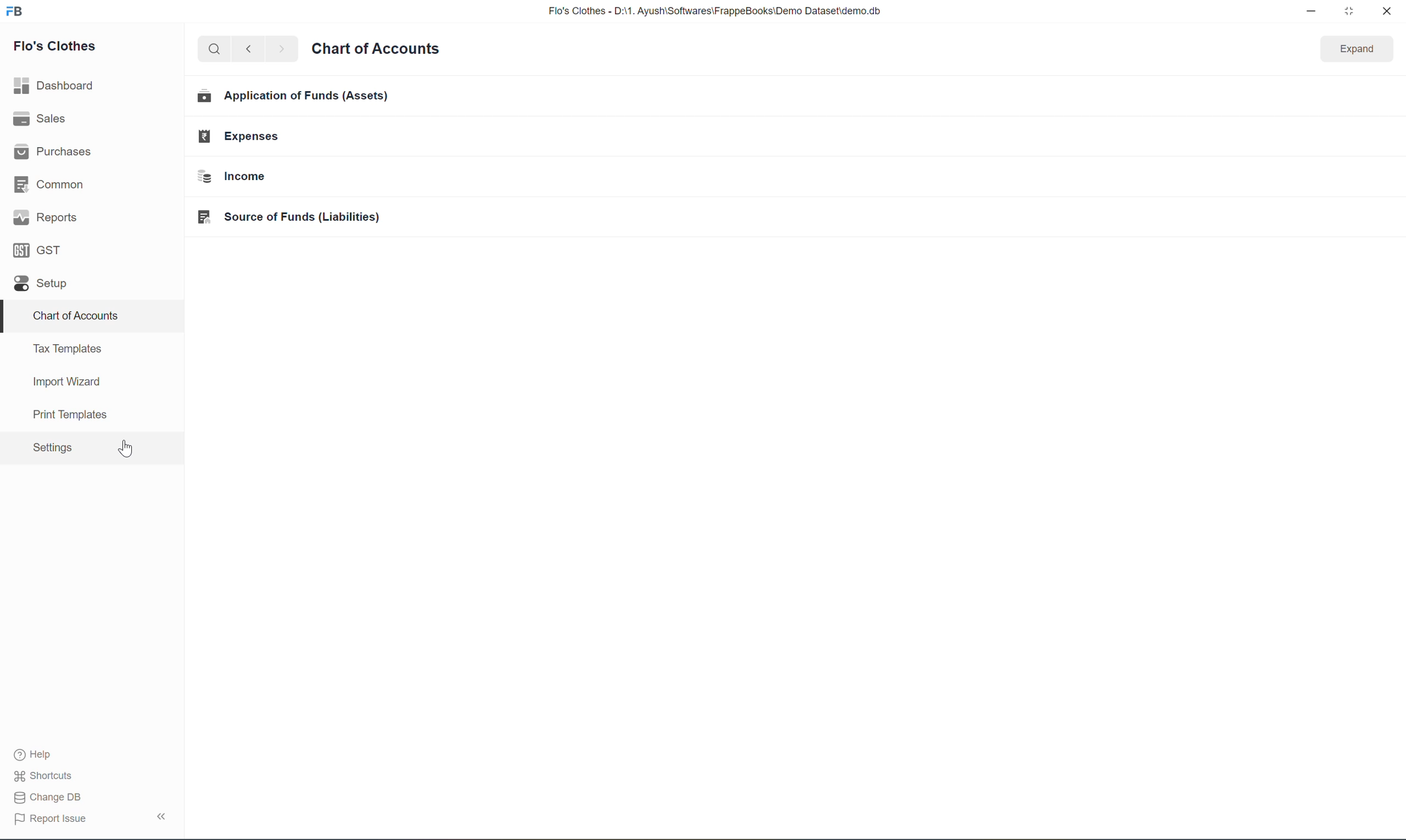 The width and height of the screenshot is (1406, 840). Describe the element at coordinates (55, 87) in the screenshot. I see `Dashboard` at that location.